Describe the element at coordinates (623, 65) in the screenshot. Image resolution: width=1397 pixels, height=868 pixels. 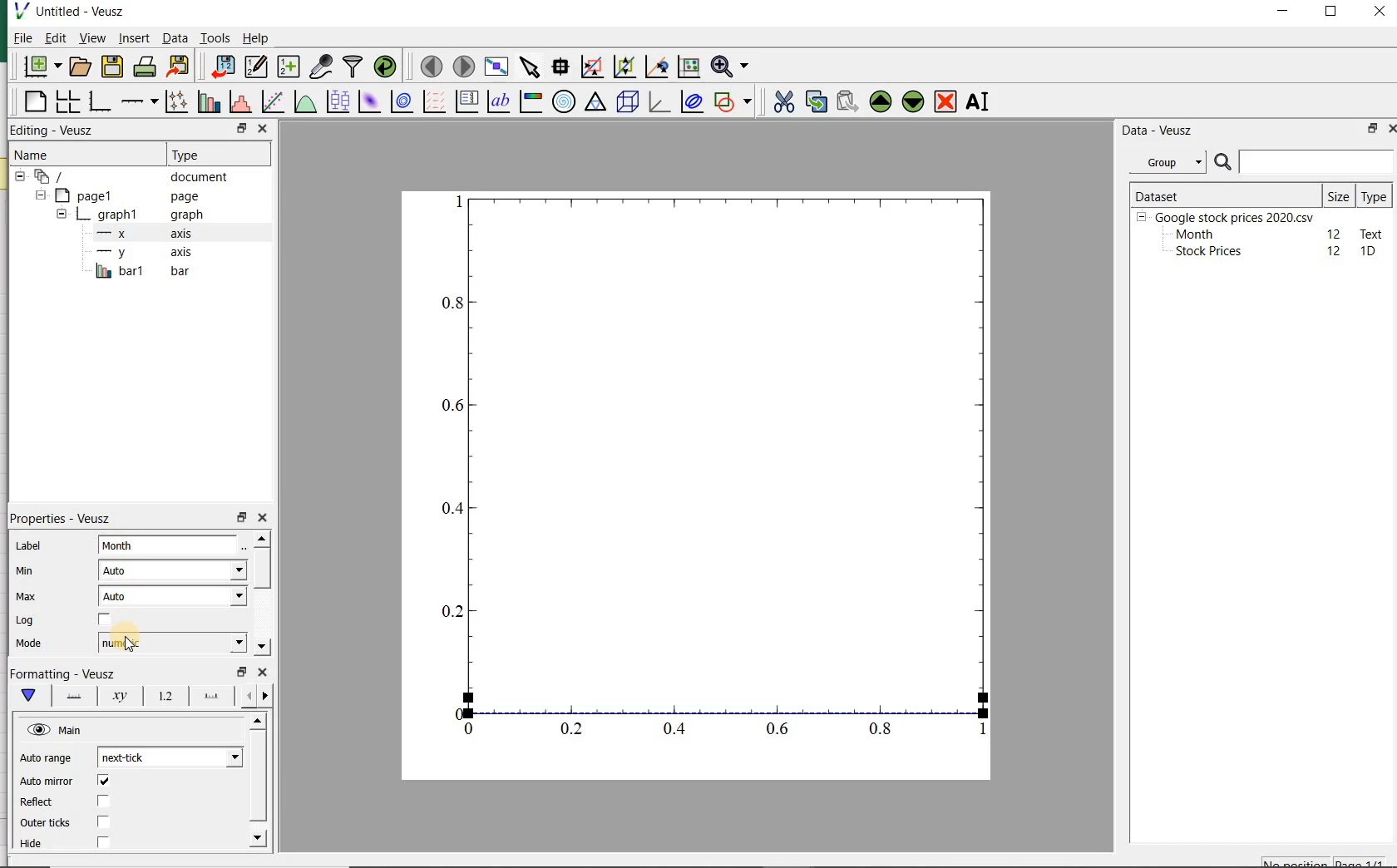
I see `click to zoom out of graph axes` at that location.